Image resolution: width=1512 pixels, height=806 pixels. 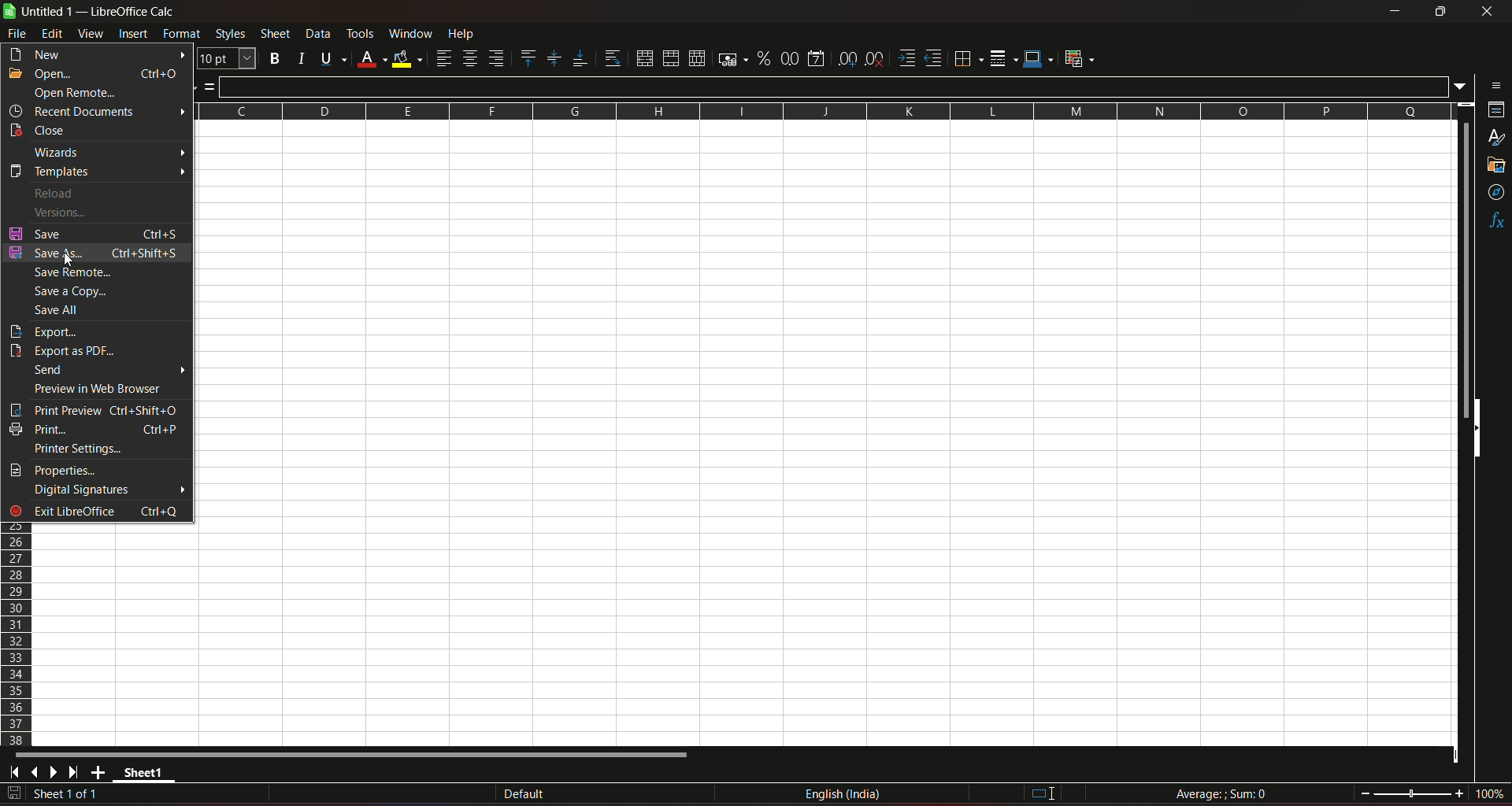 What do you see at coordinates (1458, 793) in the screenshot?
I see `zoom in` at bounding box center [1458, 793].